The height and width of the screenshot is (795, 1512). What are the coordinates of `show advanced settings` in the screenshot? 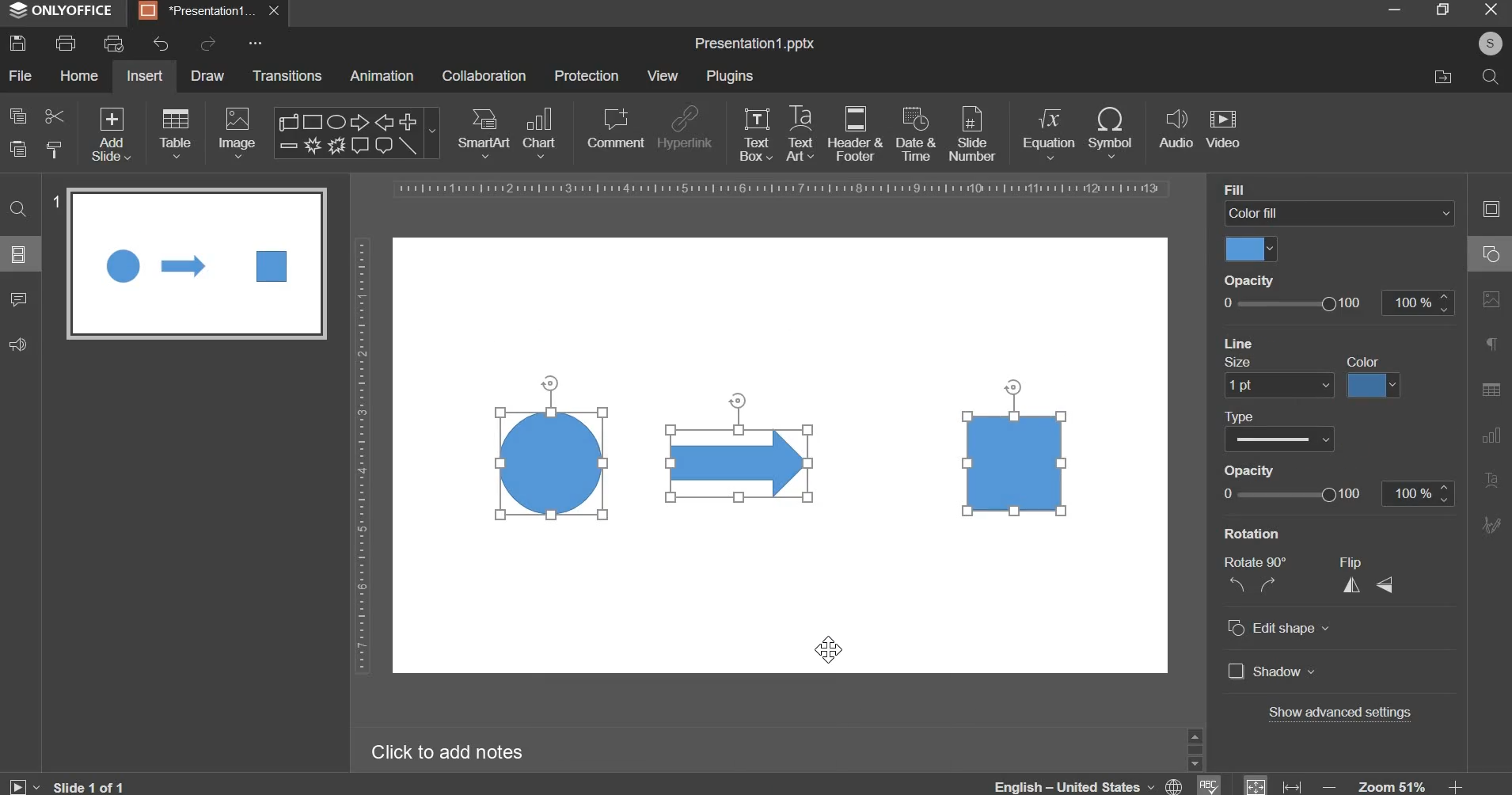 It's located at (1339, 713).